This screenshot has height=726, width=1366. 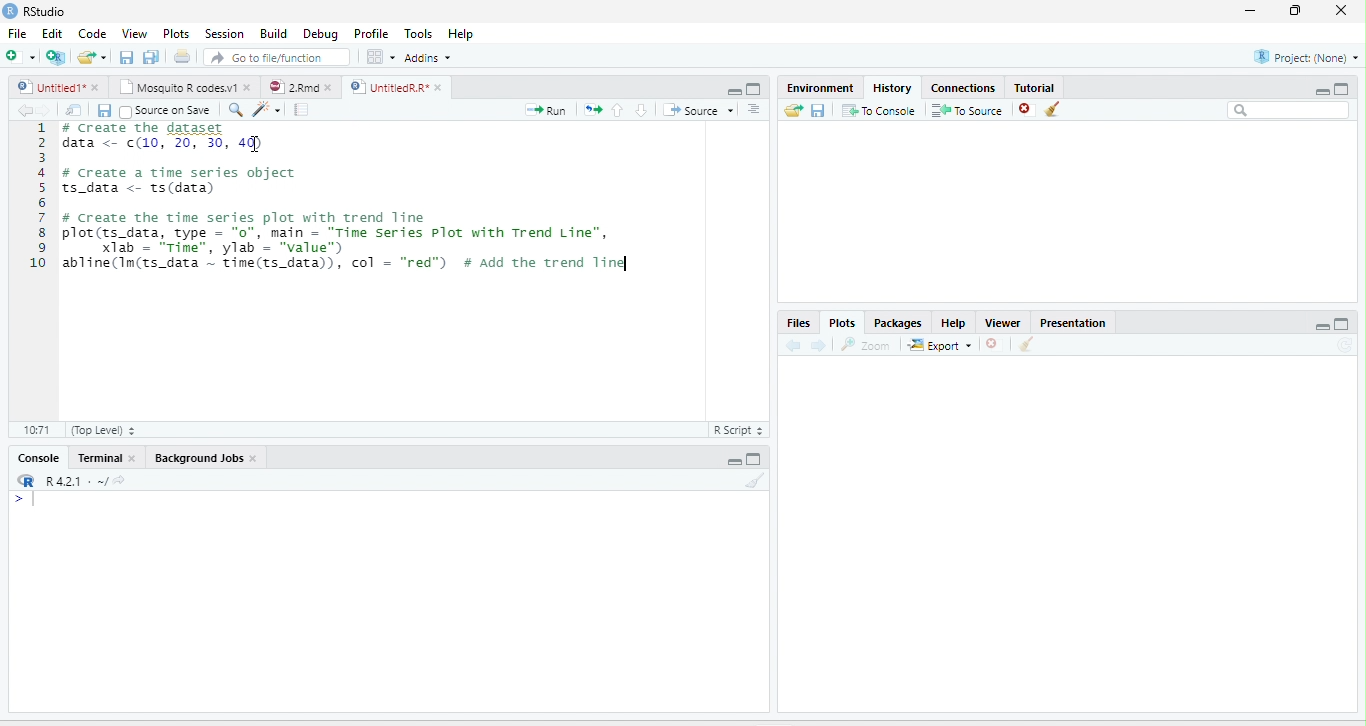 I want to click on Minimize, so click(x=1321, y=91).